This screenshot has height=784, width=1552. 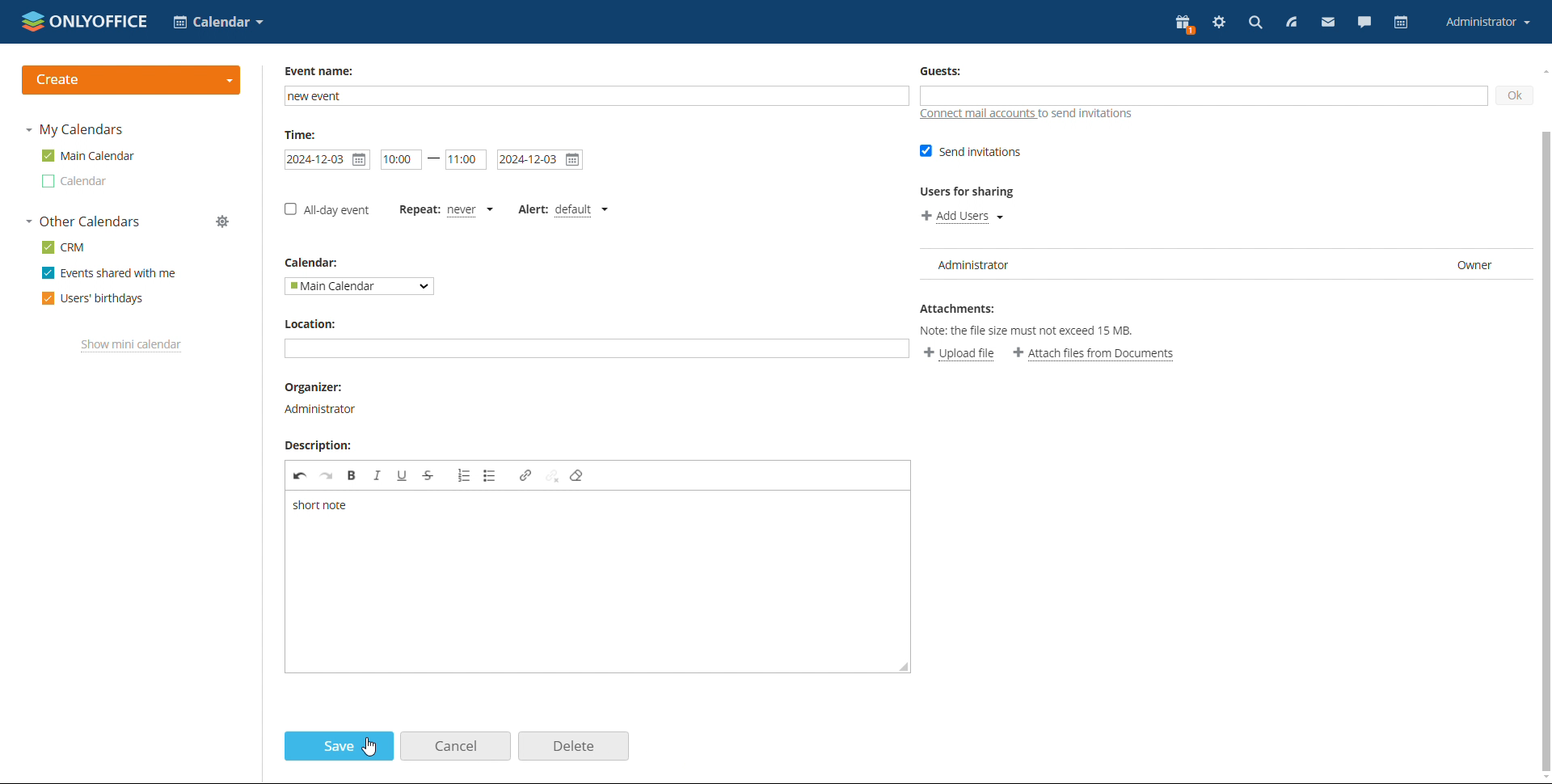 What do you see at coordinates (597, 582) in the screenshot?
I see `add description` at bounding box center [597, 582].